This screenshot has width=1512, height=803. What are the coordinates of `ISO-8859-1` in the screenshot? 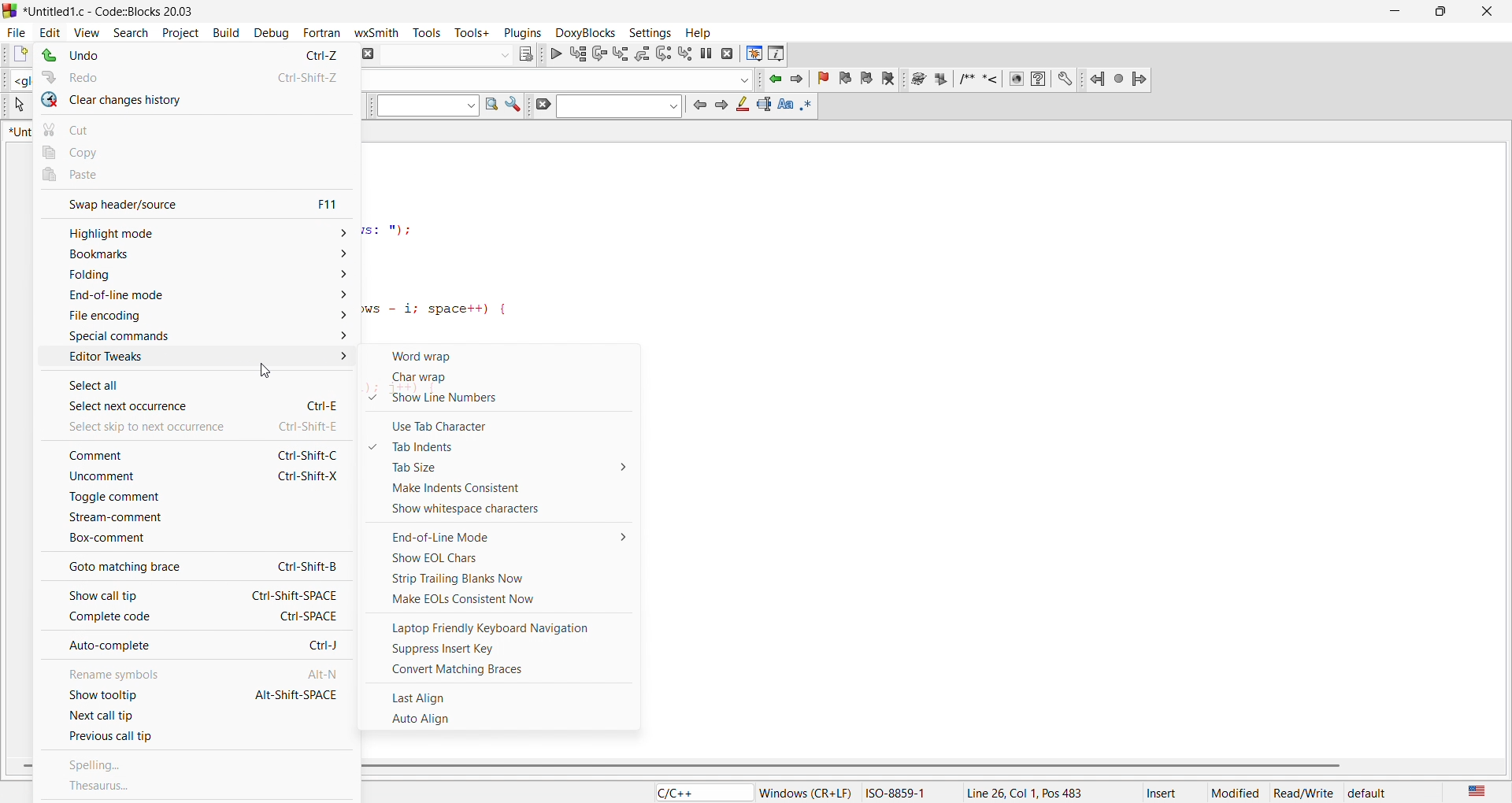 It's located at (906, 791).